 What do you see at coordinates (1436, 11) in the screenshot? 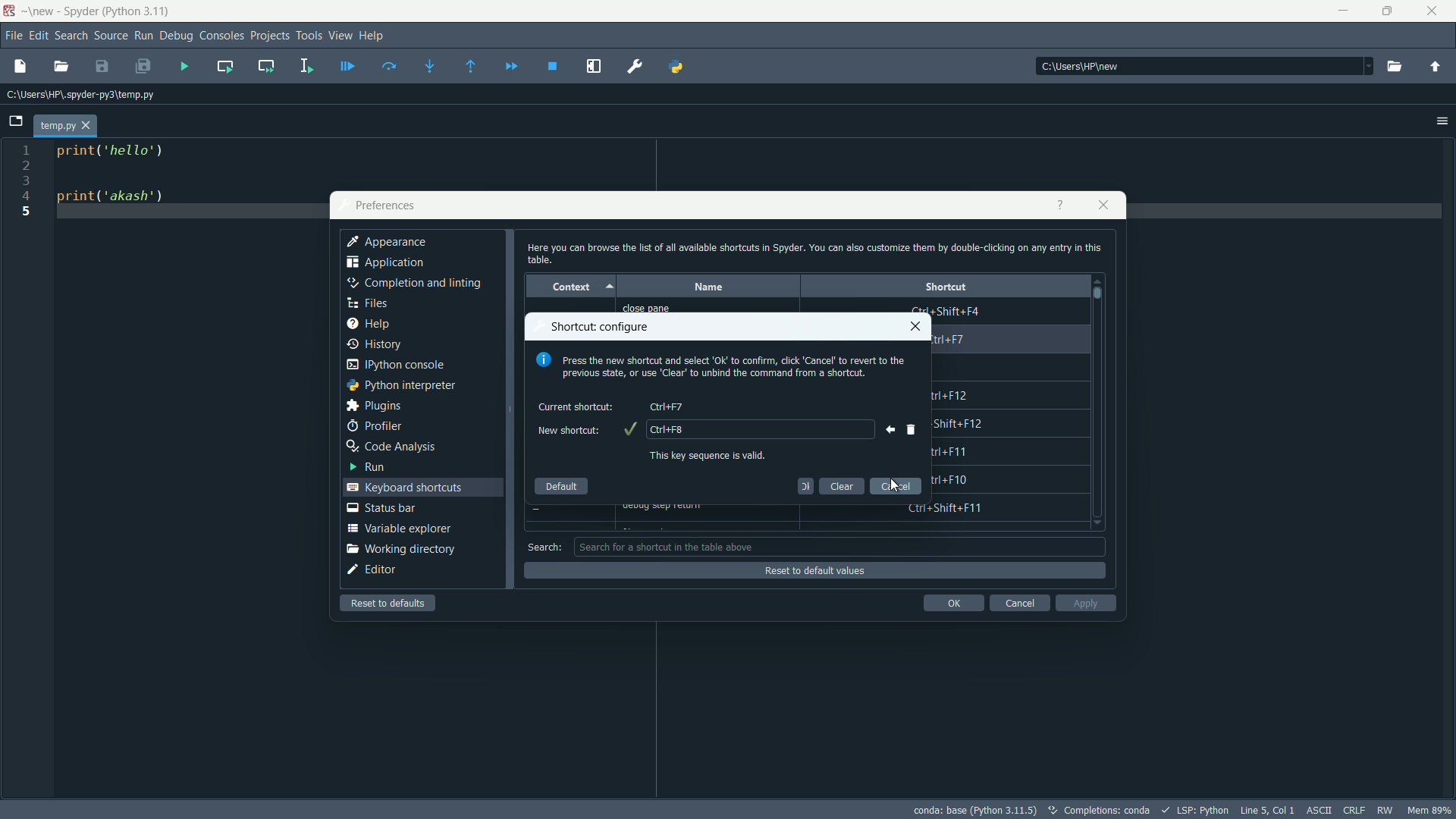
I see `close app` at bounding box center [1436, 11].